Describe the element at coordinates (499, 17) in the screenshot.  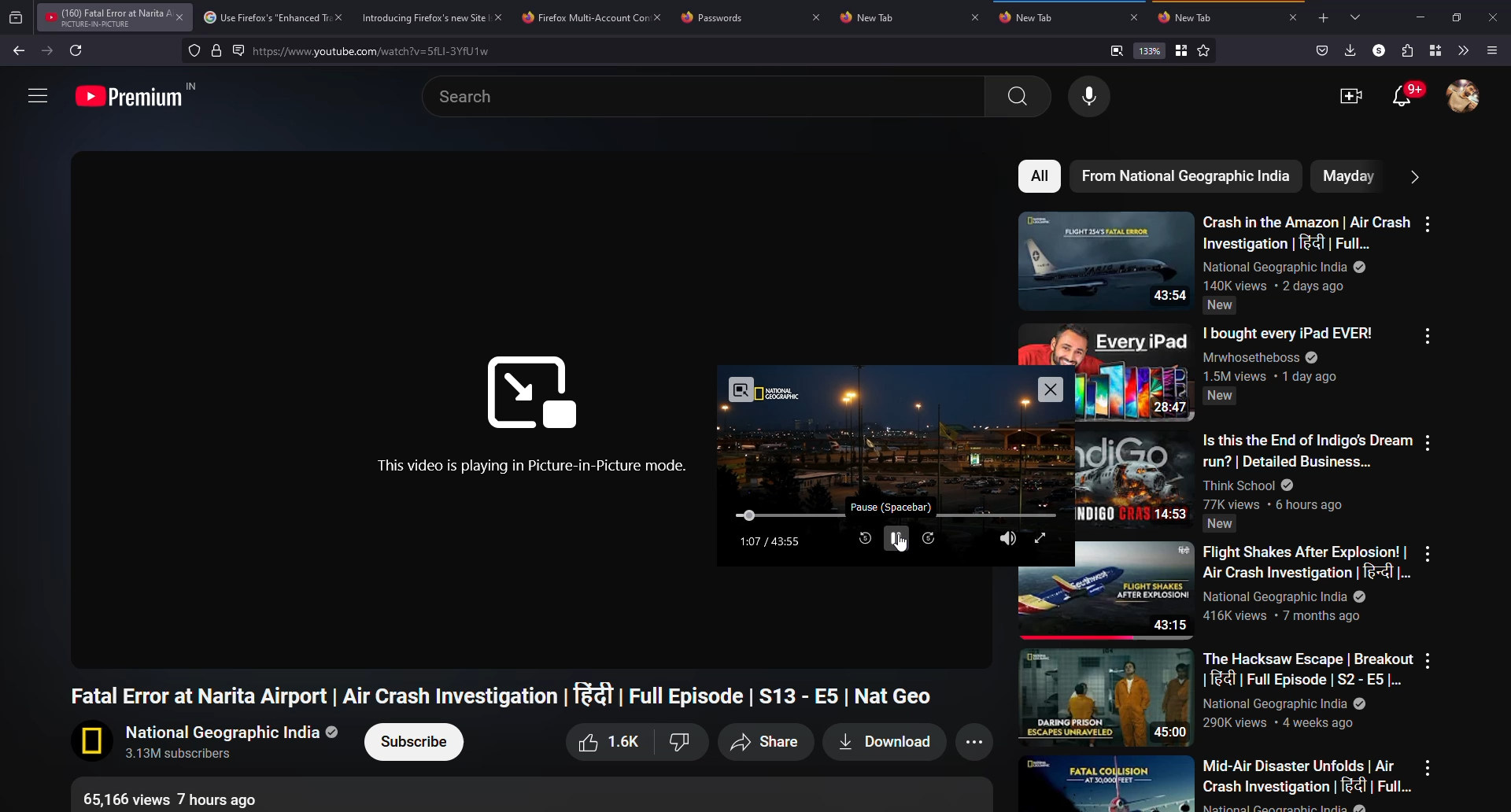
I see `close` at that location.